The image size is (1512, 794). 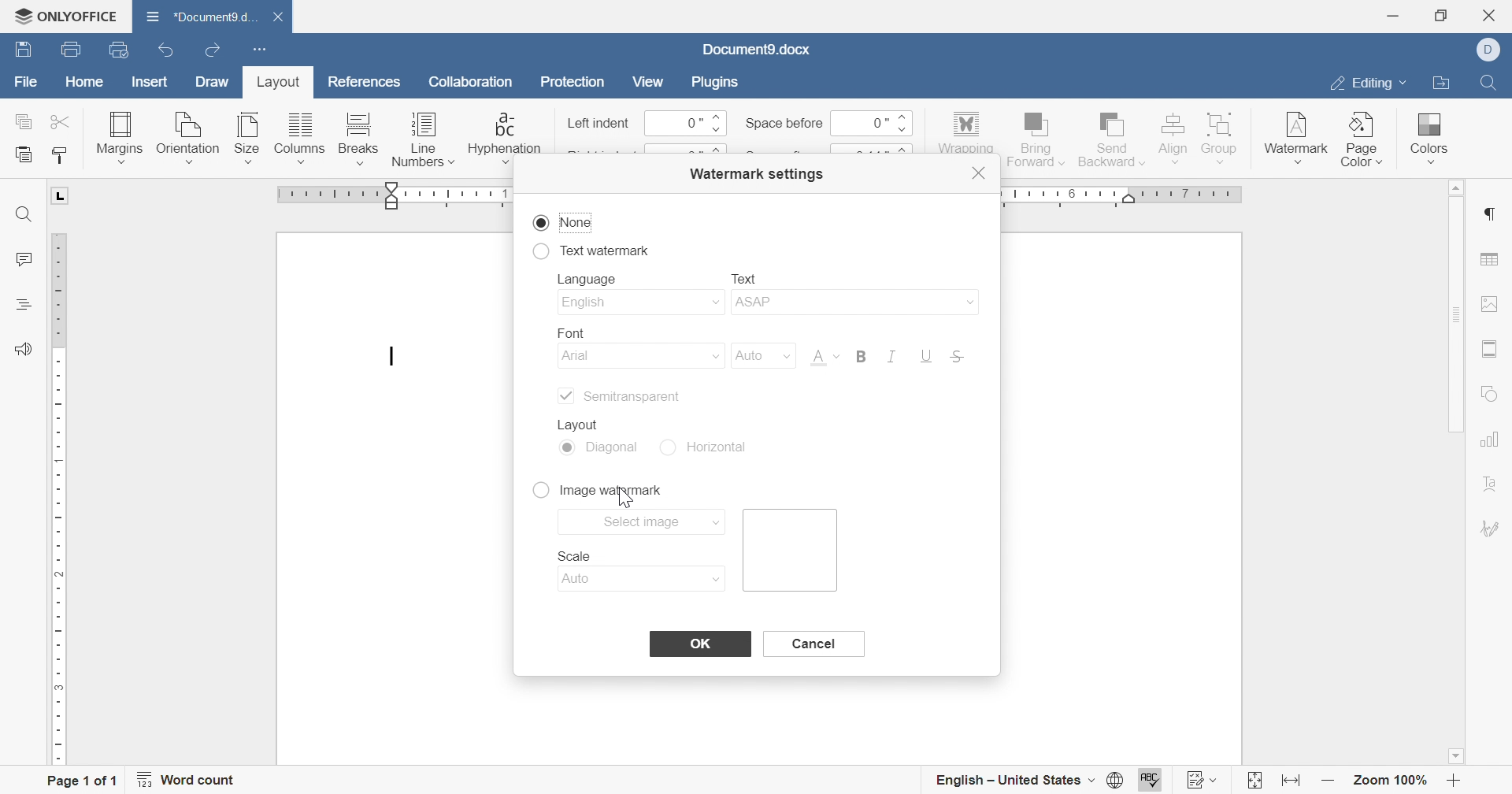 What do you see at coordinates (601, 449) in the screenshot?
I see `diagonal` at bounding box center [601, 449].